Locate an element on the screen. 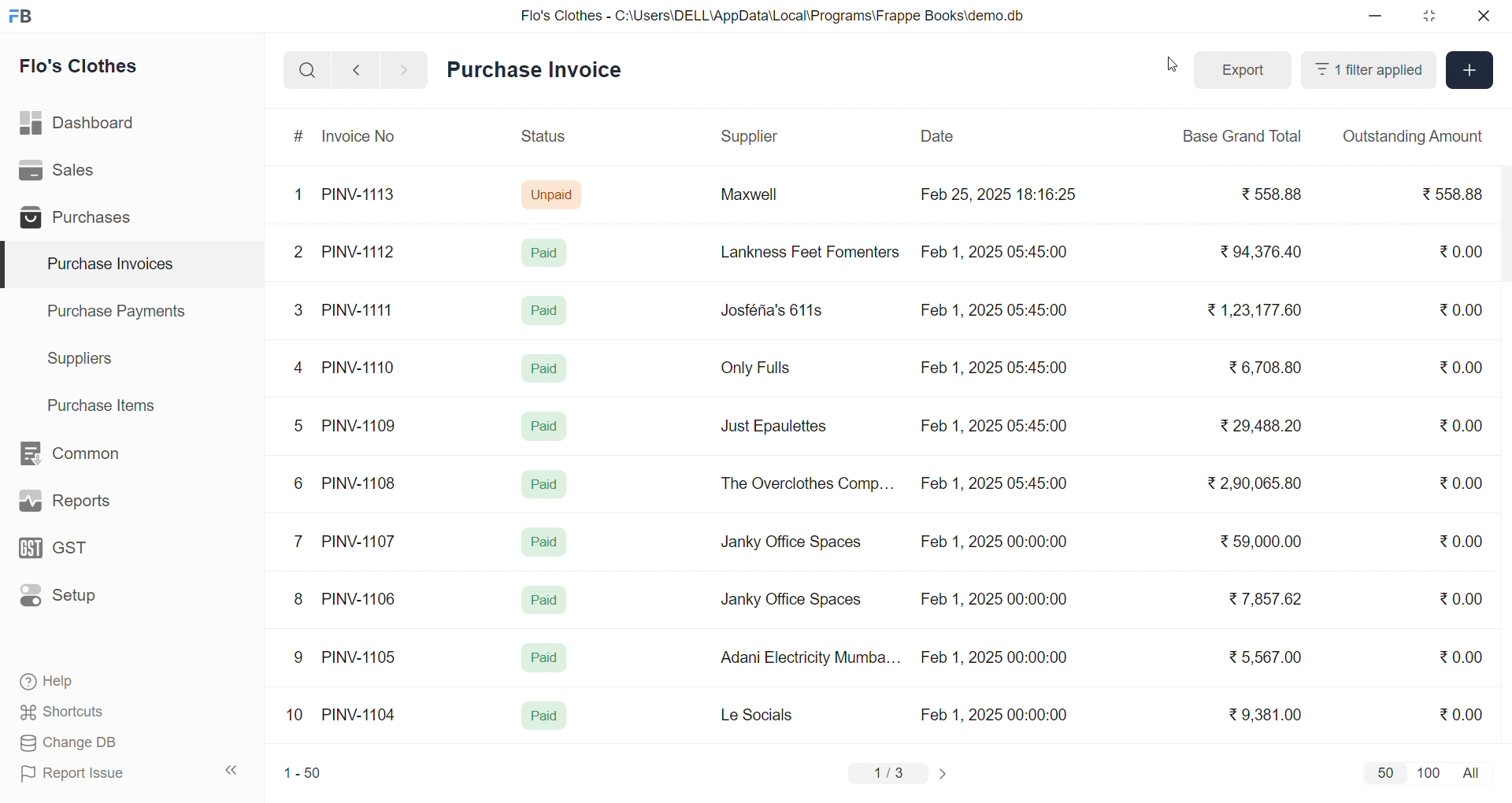 The width and height of the screenshot is (1512, 803). Sales is located at coordinates (81, 173).